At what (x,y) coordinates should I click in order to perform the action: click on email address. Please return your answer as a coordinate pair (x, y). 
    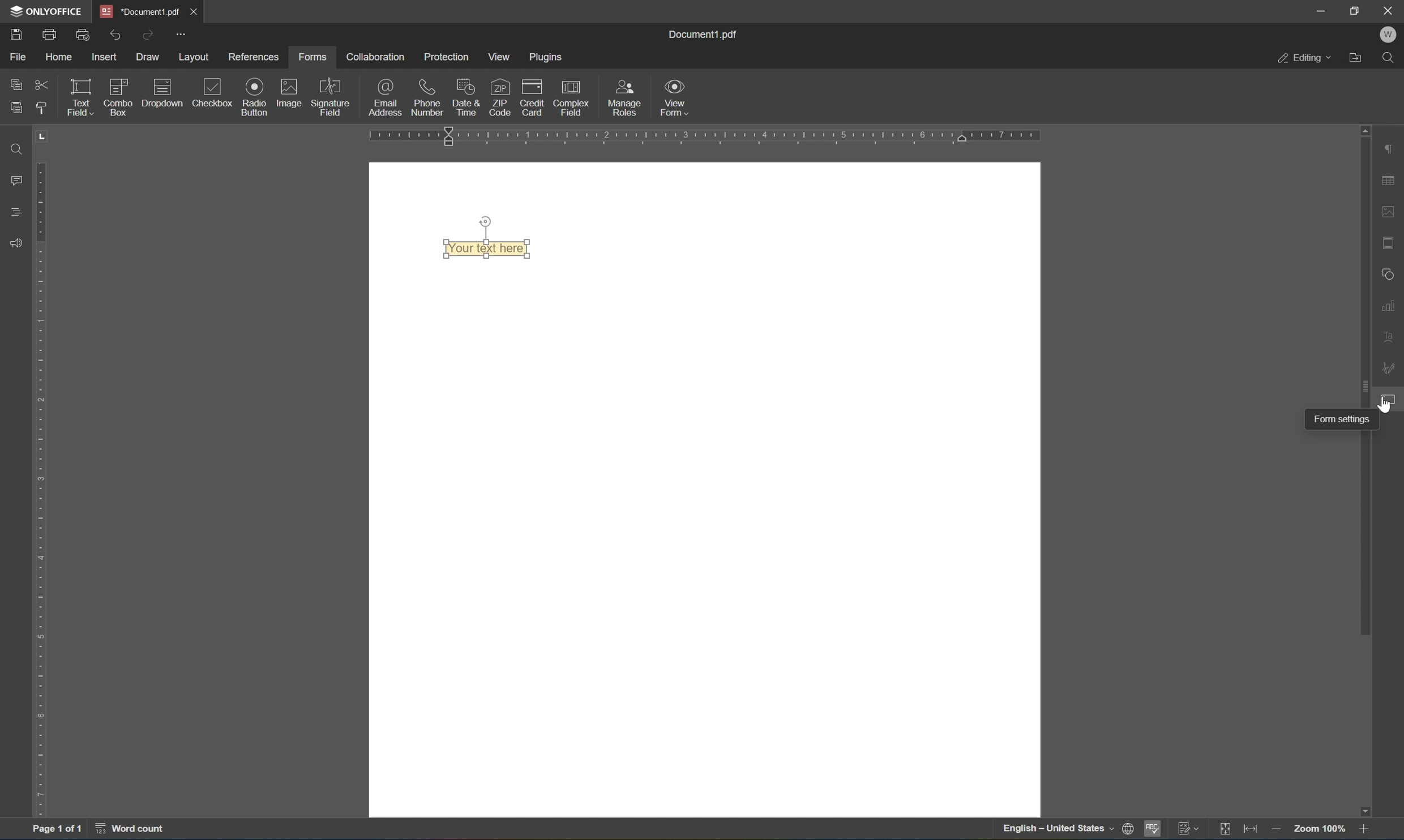
    Looking at the image, I should click on (384, 98).